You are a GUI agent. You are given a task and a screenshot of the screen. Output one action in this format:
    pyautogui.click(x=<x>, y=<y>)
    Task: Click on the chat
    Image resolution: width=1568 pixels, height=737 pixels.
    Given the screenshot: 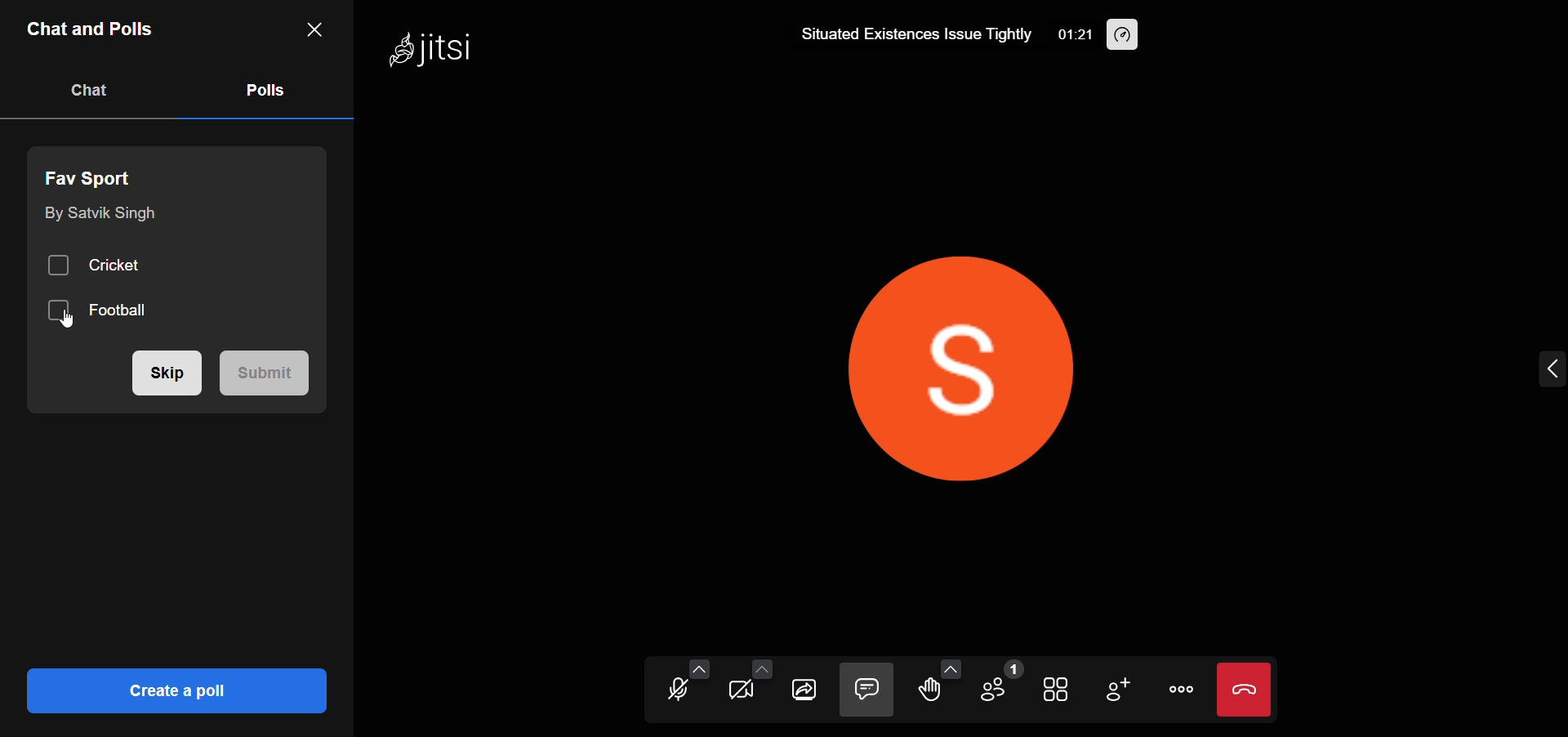 What is the action you would take?
    pyautogui.click(x=94, y=90)
    